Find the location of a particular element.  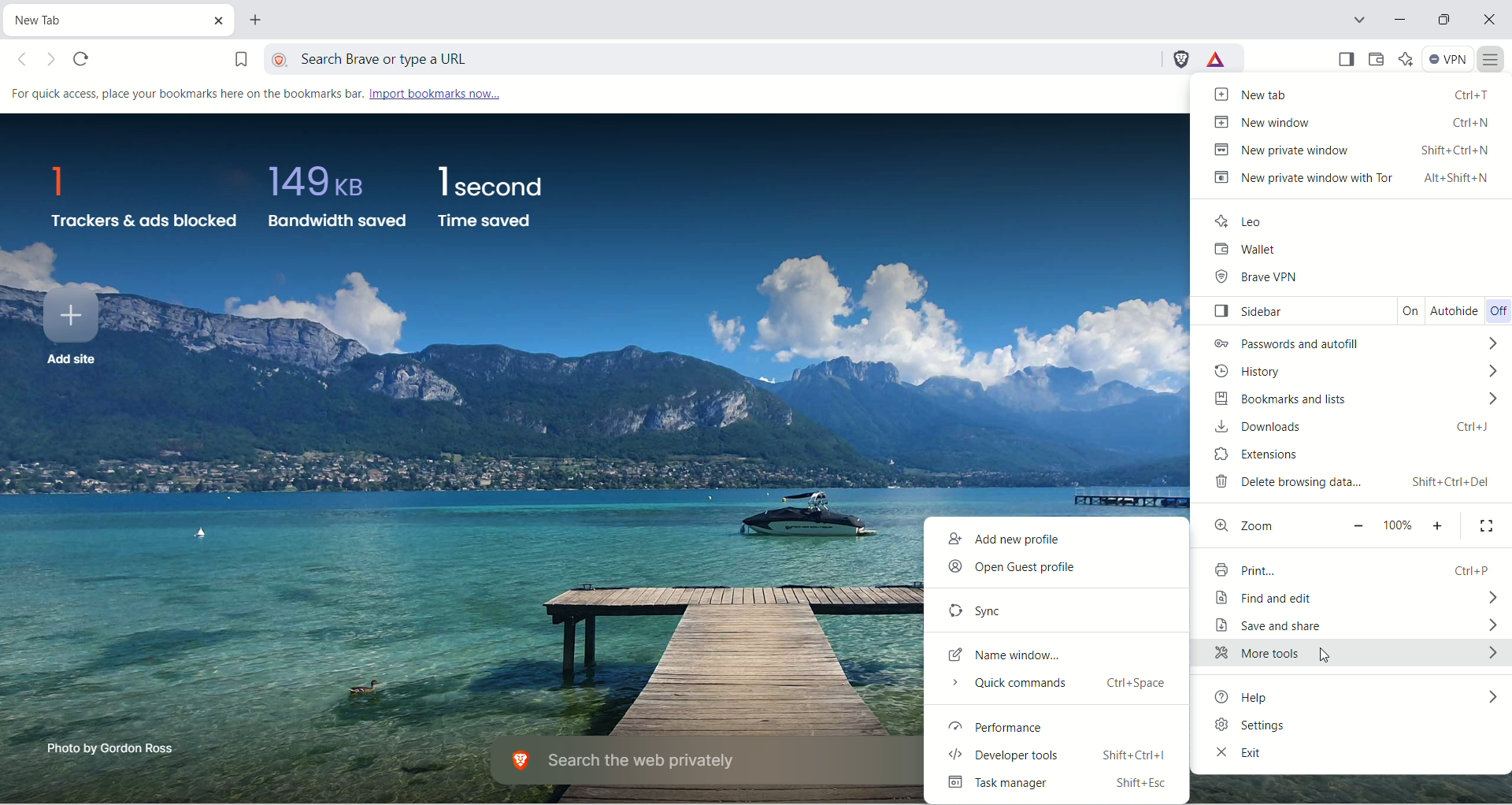

brave VPN is located at coordinates (1357, 280).